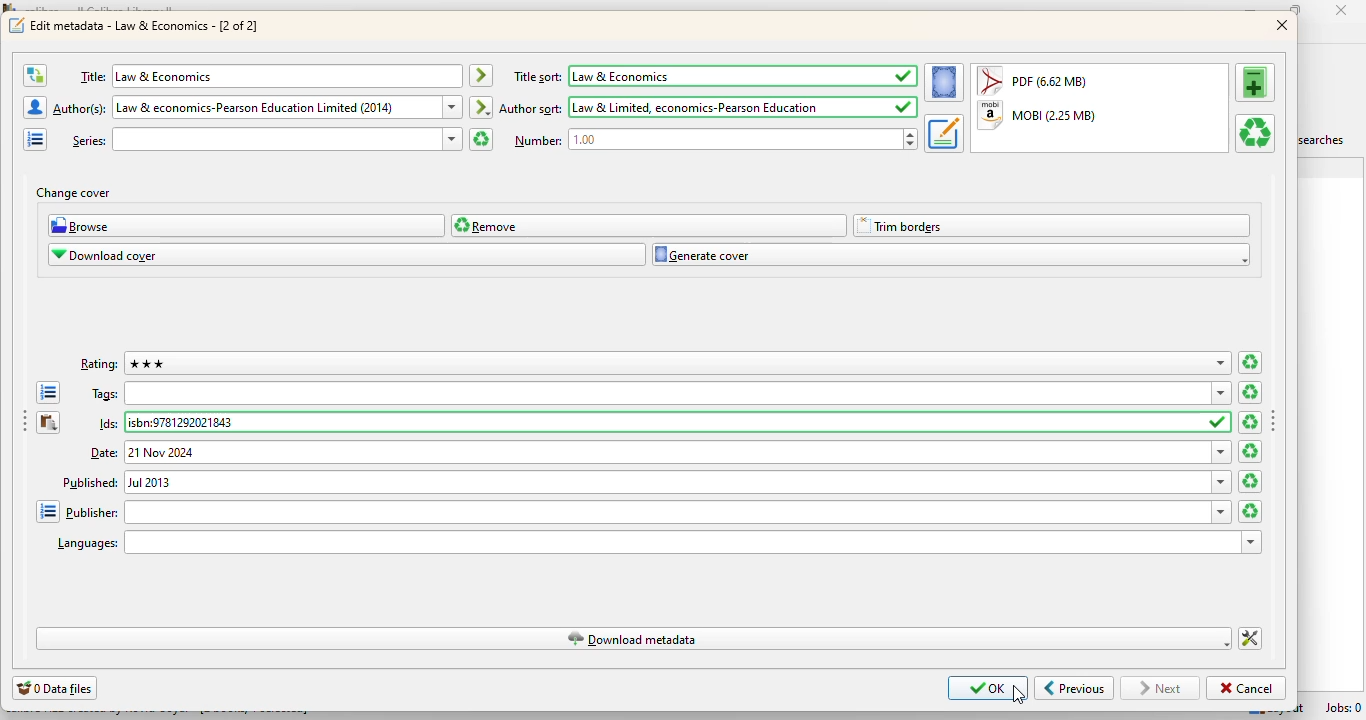  What do you see at coordinates (1036, 80) in the screenshot?
I see `PDF (6.62 MB) ` at bounding box center [1036, 80].